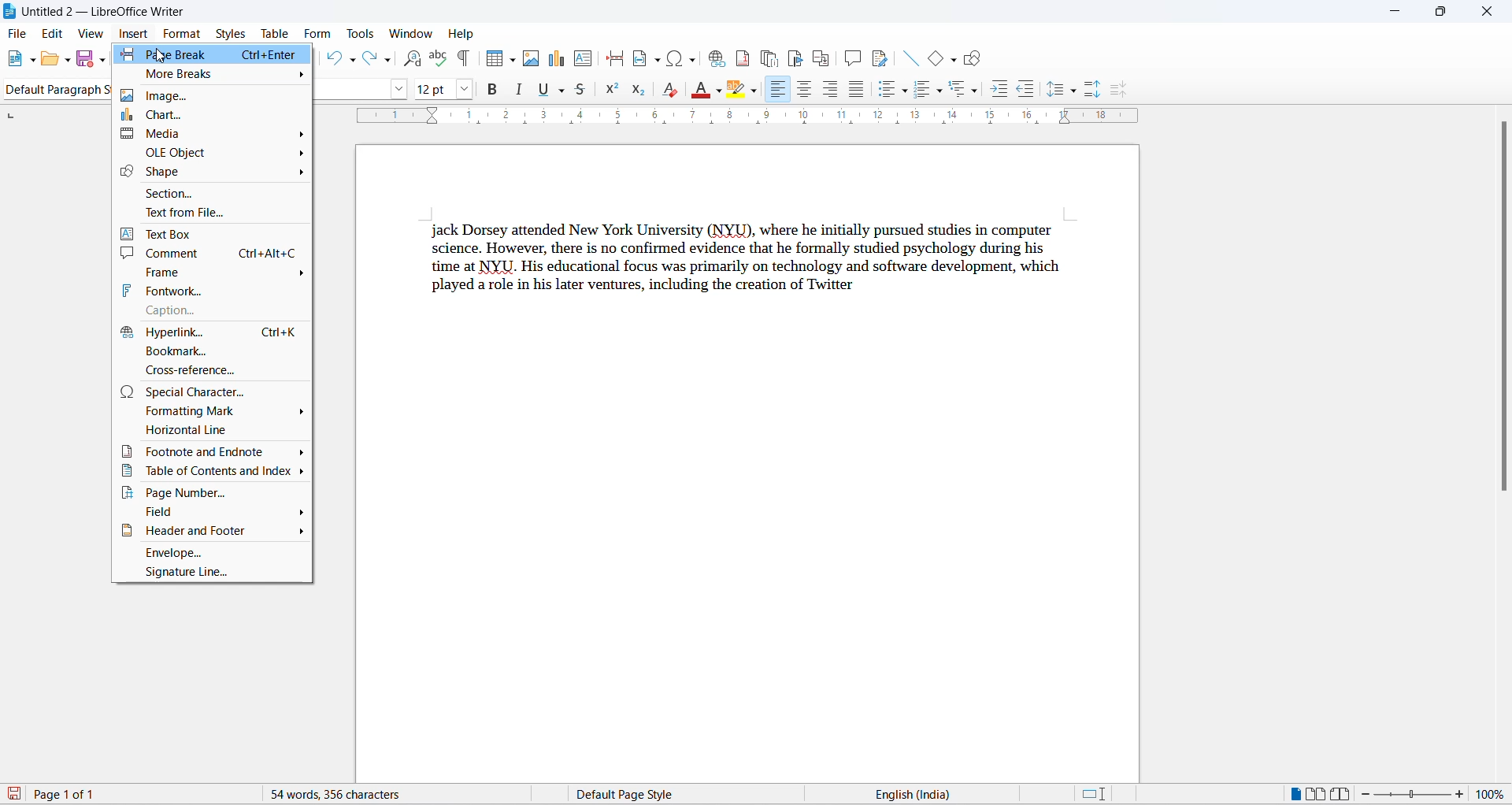  What do you see at coordinates (495, 60) in the screenshot?
I see `insert table` at bounding box center [495, 60].